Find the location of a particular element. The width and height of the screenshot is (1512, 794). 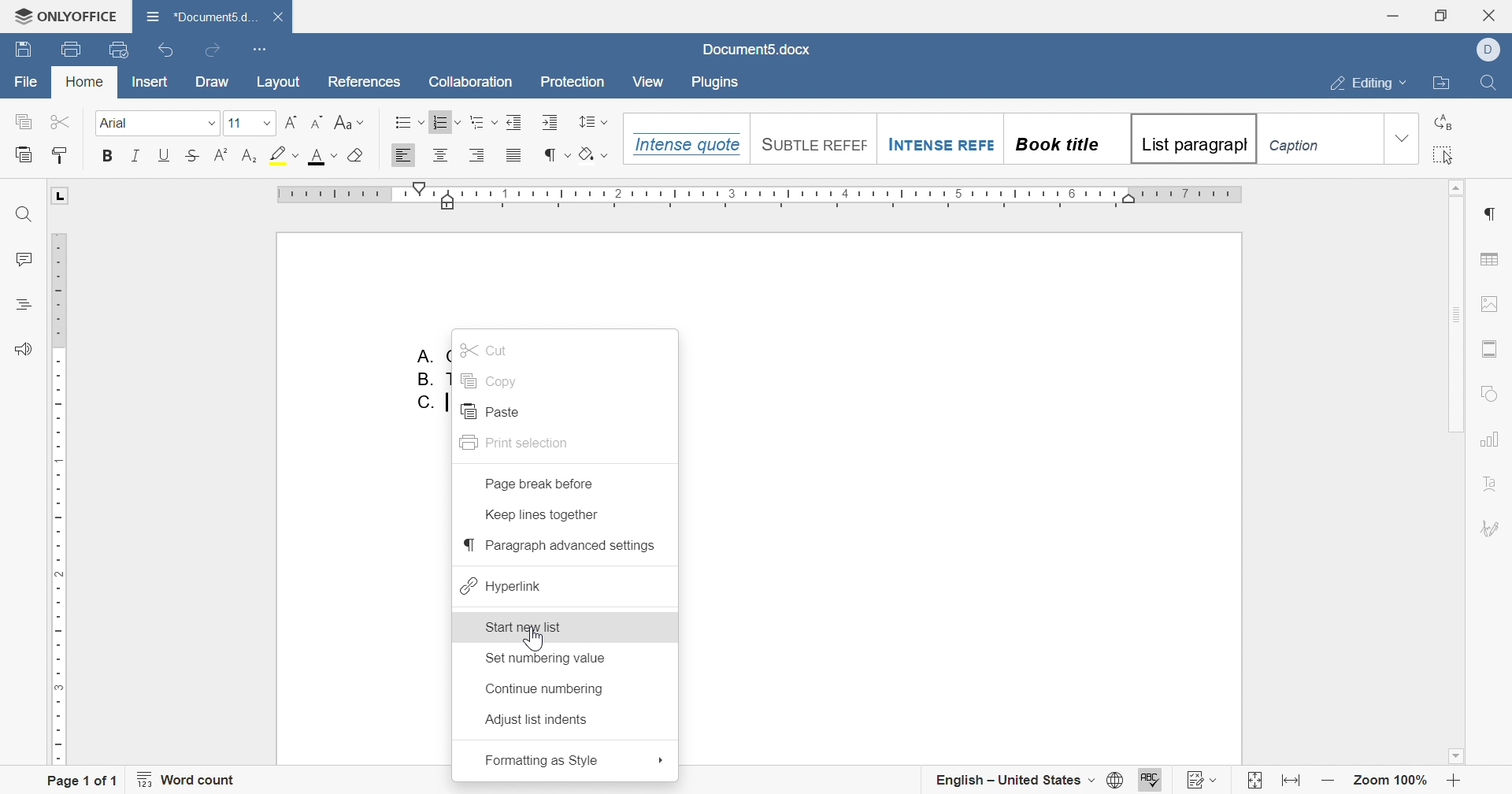

layout is located at coordinates (282, 84).